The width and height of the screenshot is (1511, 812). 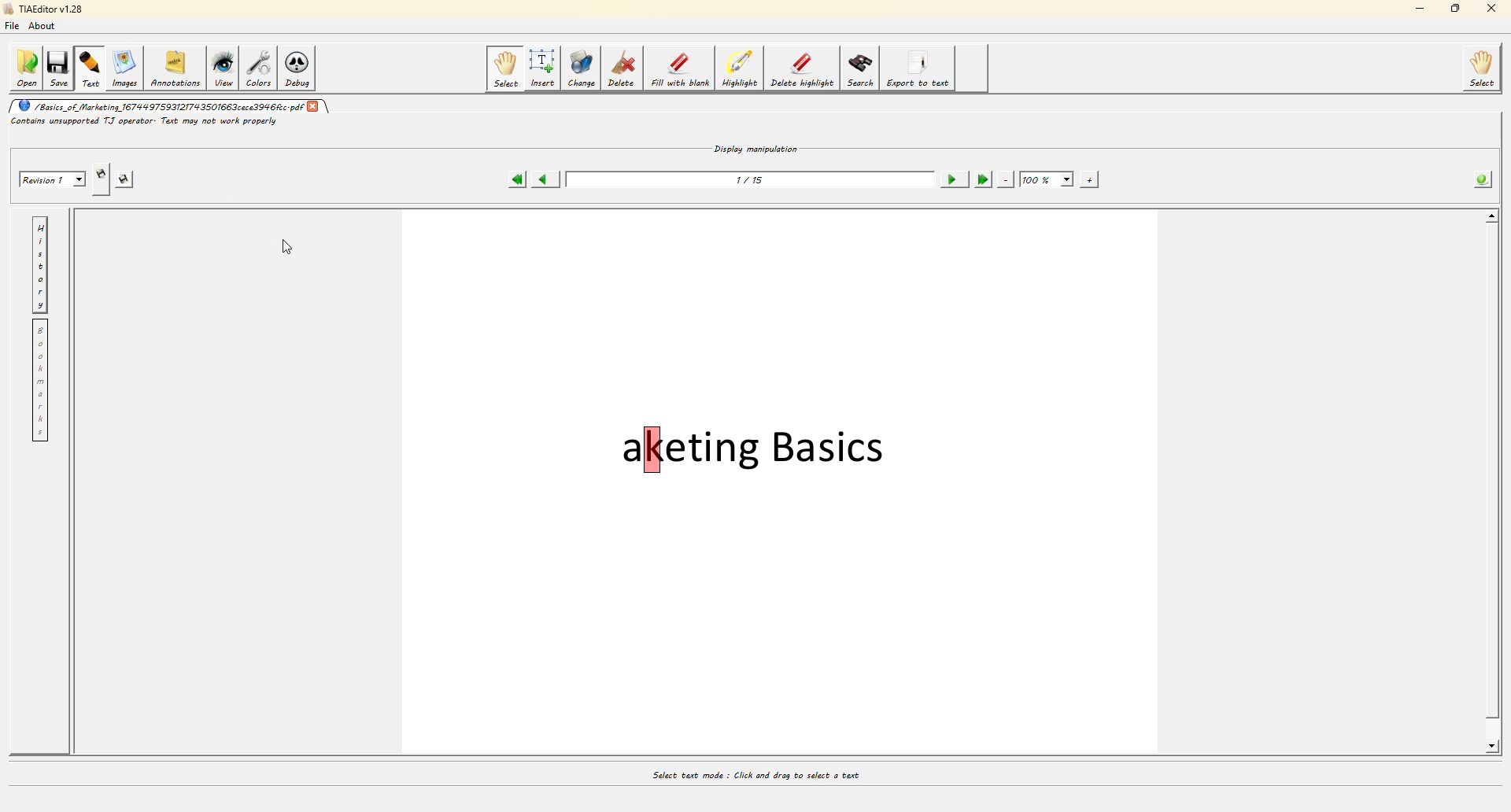 I want to click on fill with blank, so click(x=680, y=68).